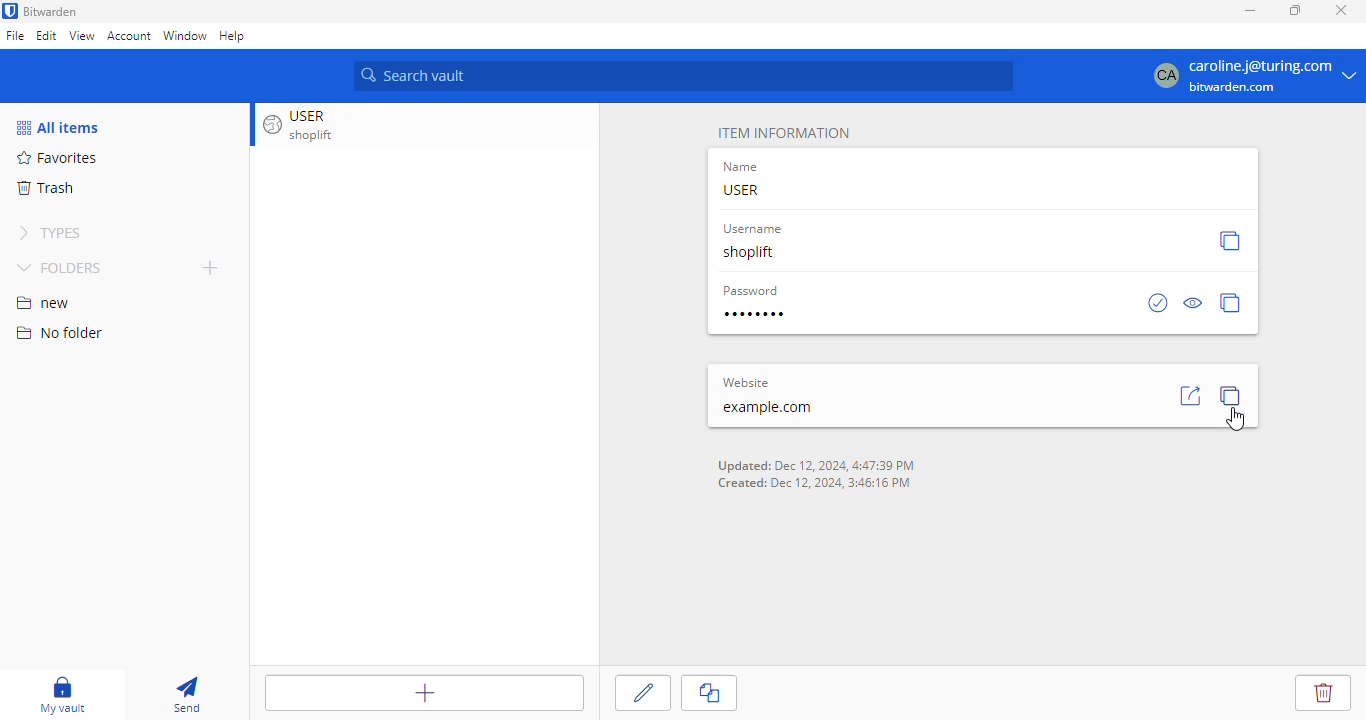 The image size is (1366, 720). What do you see at coordinates (65, 693) in the screenshot?
I see `my vault` at bounding box center [65, 693].